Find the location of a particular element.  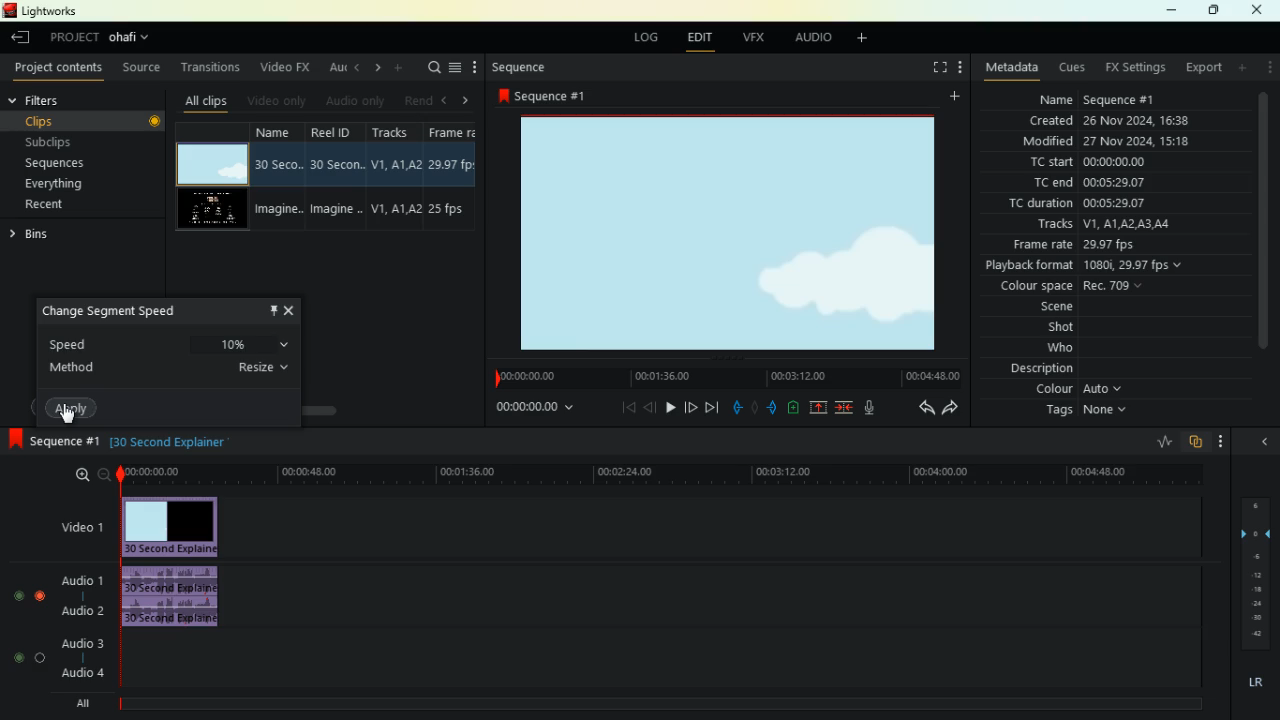

shot is located at coordinates (1062, 329).